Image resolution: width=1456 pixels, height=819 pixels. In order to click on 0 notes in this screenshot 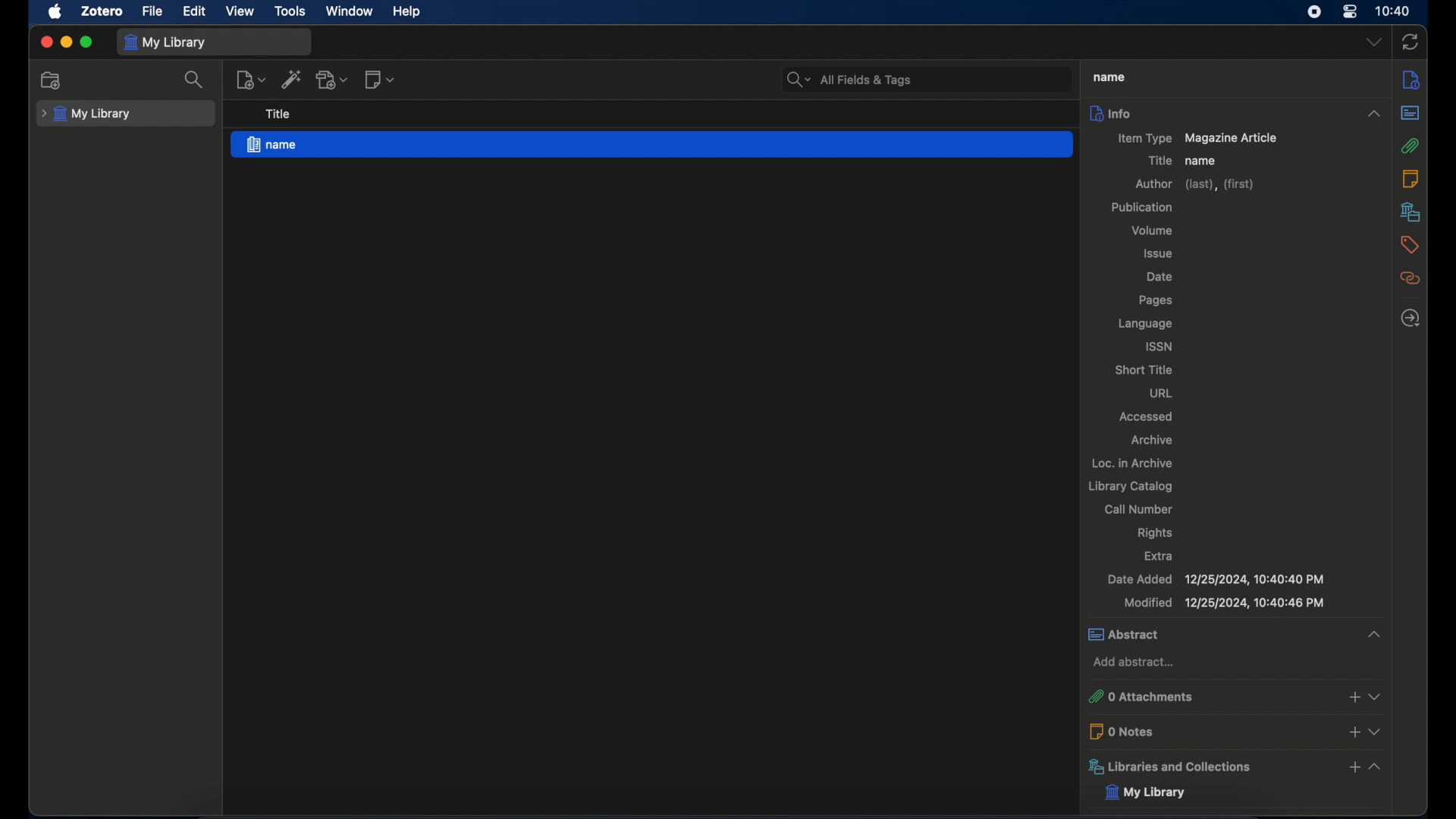, I will do `click(1234, 731)`.